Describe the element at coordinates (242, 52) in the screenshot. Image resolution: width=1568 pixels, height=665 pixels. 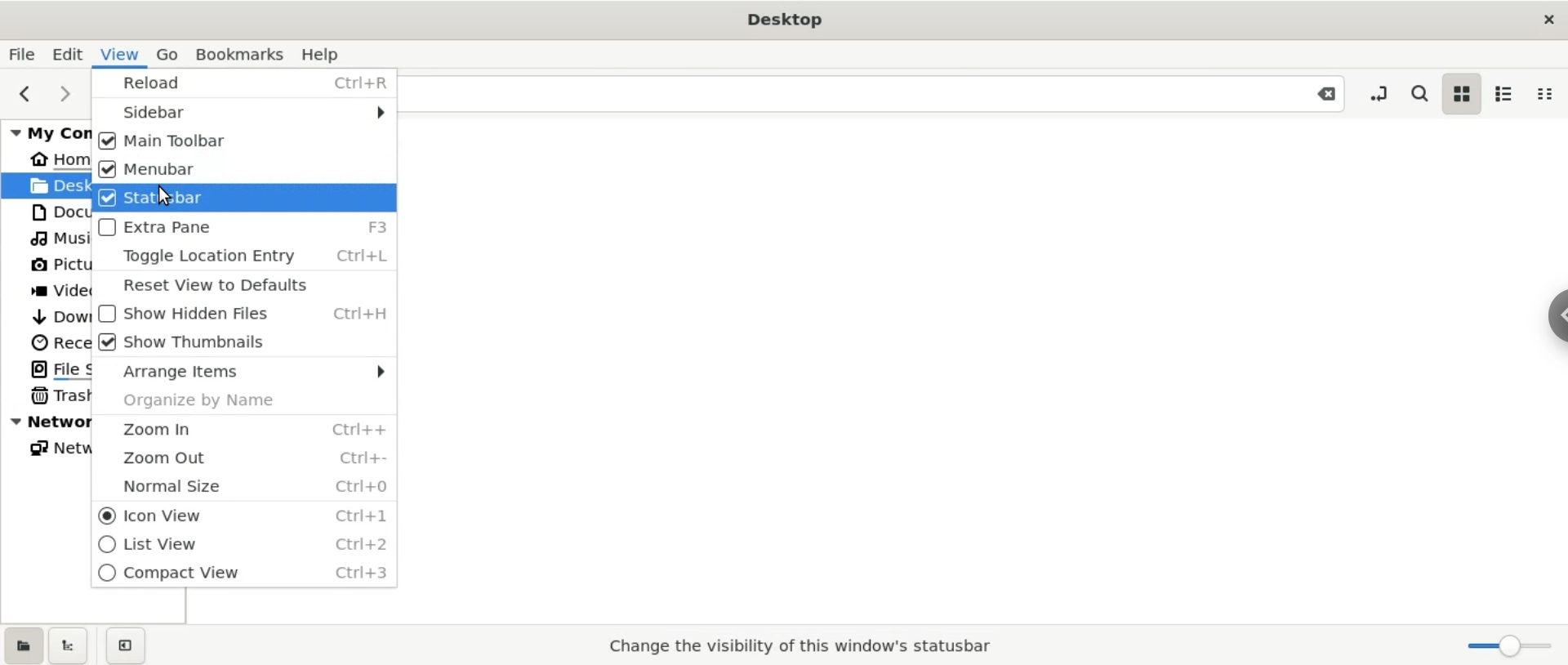
I see `Bookmarks` at that location.